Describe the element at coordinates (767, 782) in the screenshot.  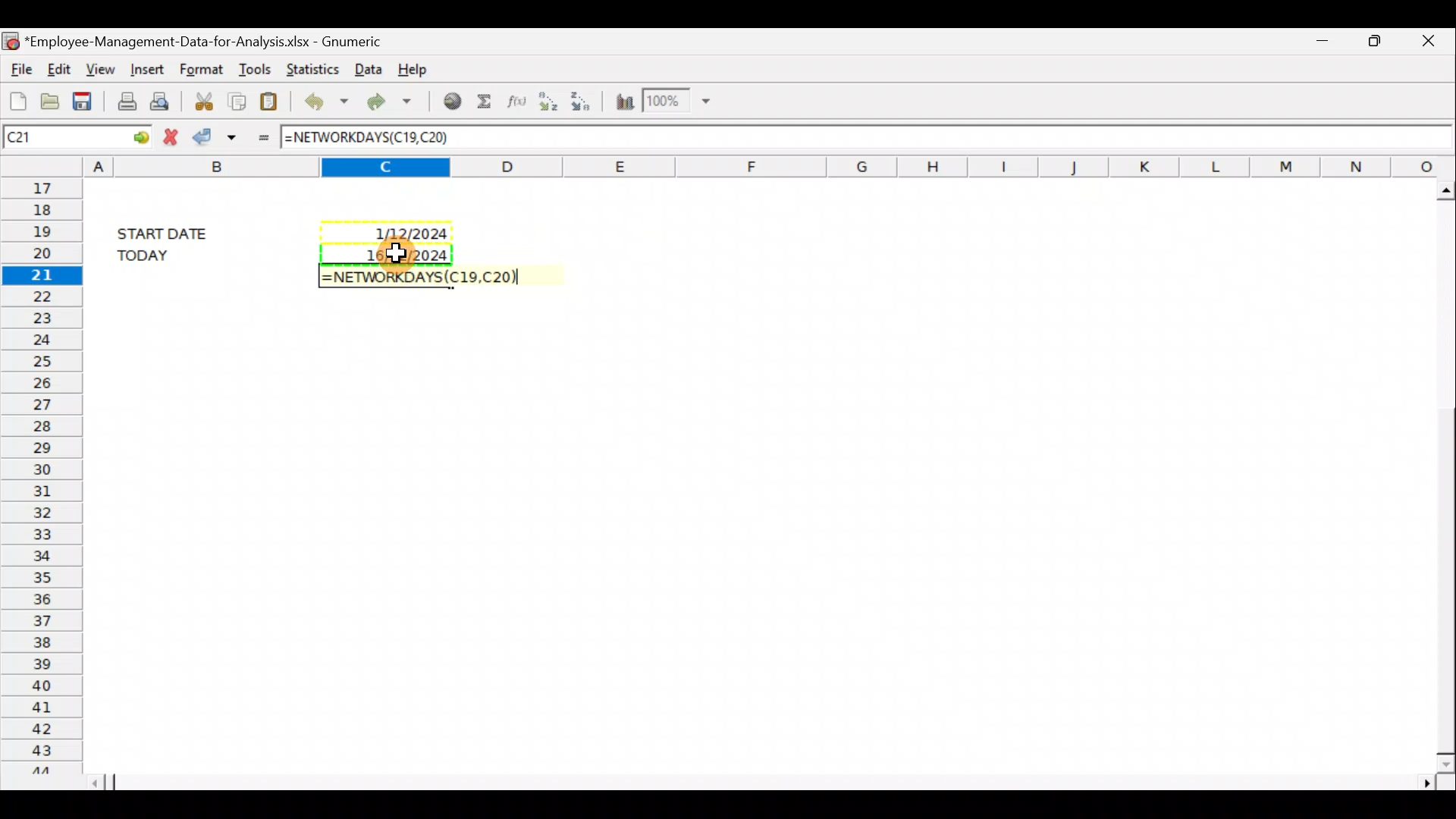
I see `Scroll bar` at that location.